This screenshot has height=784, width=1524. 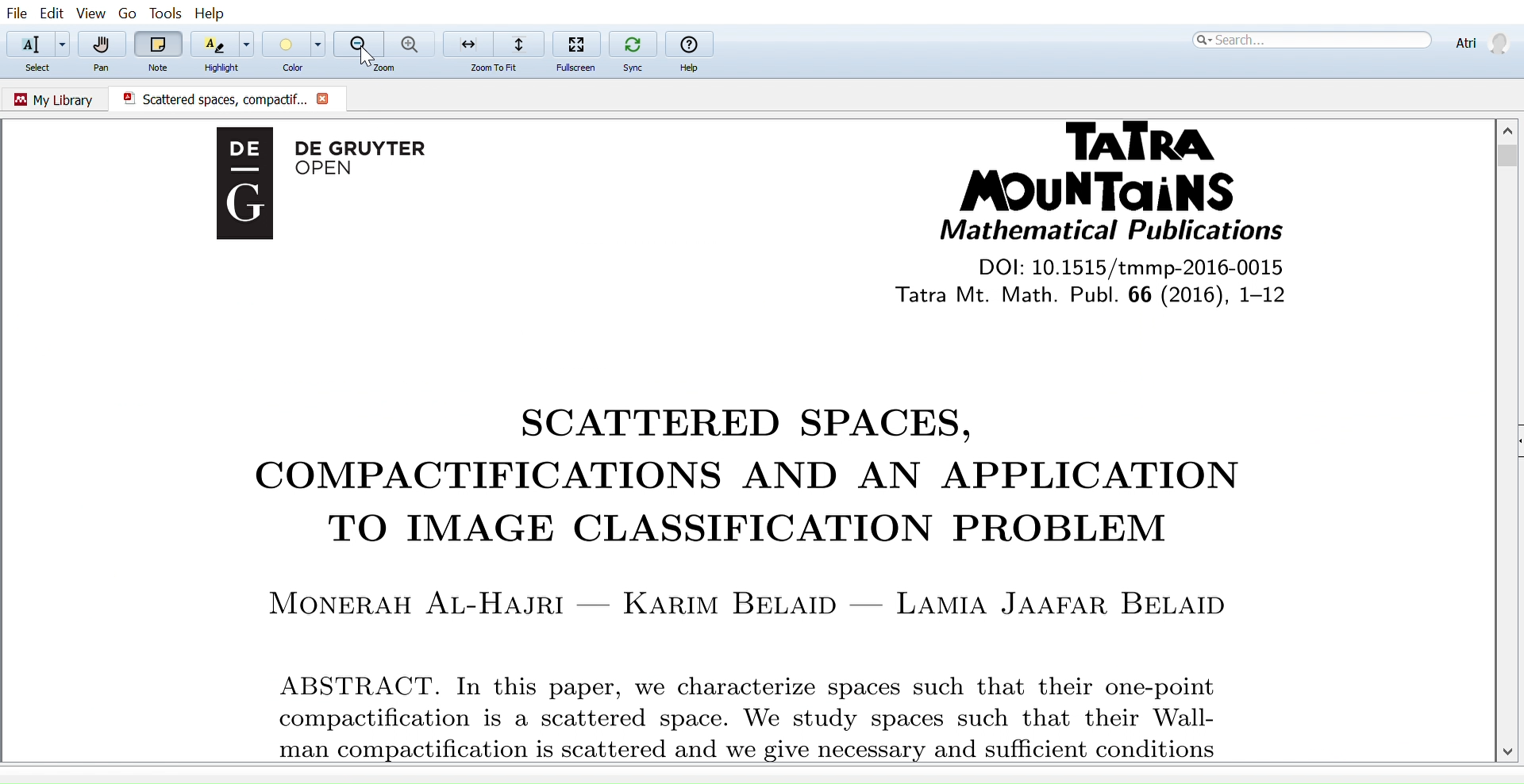 I want to click on Color, so click(x=287, y=70).